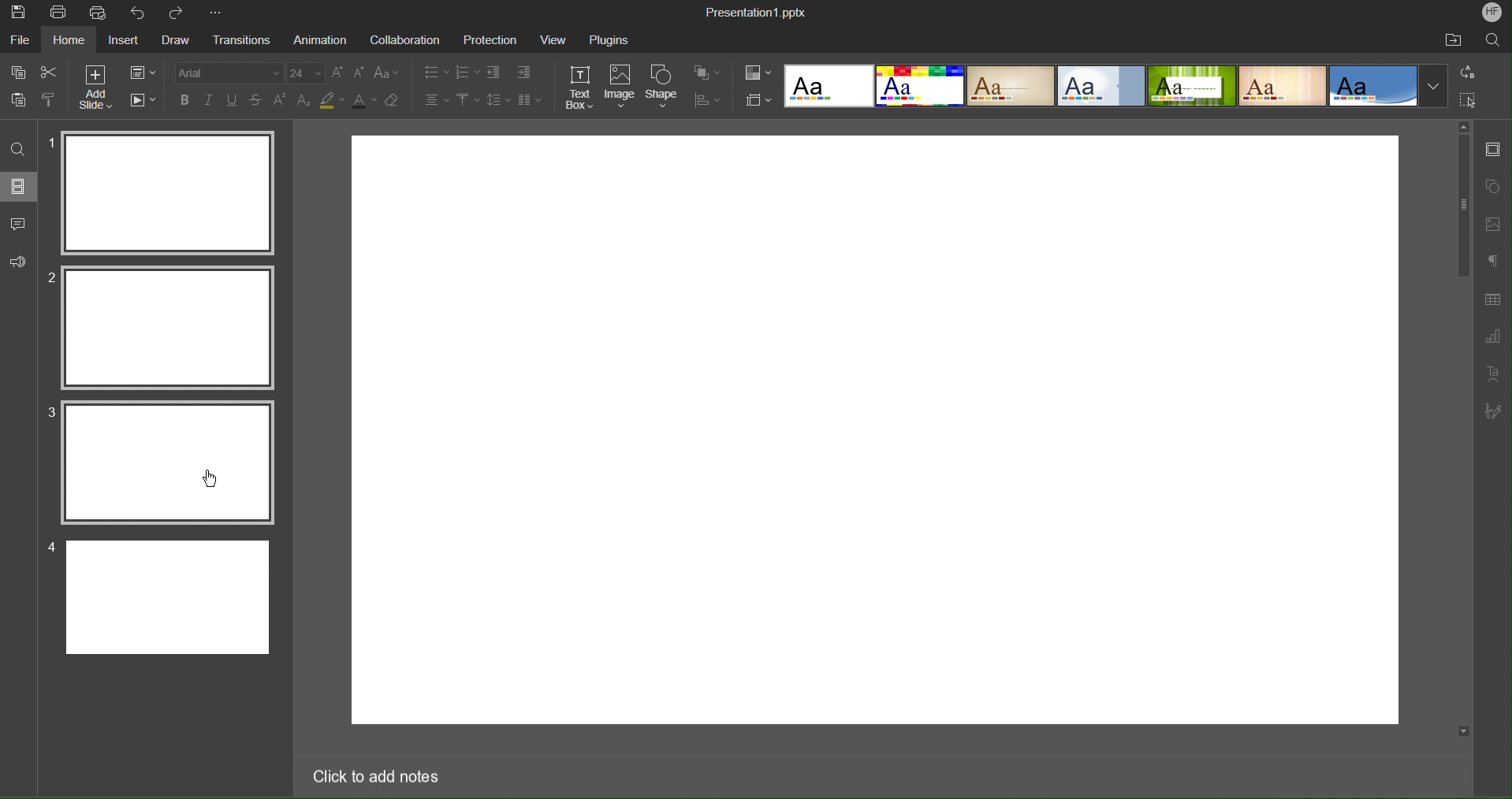 This screenshot has width=1512, height=799. I want to click on Slides, so click(20, 186).